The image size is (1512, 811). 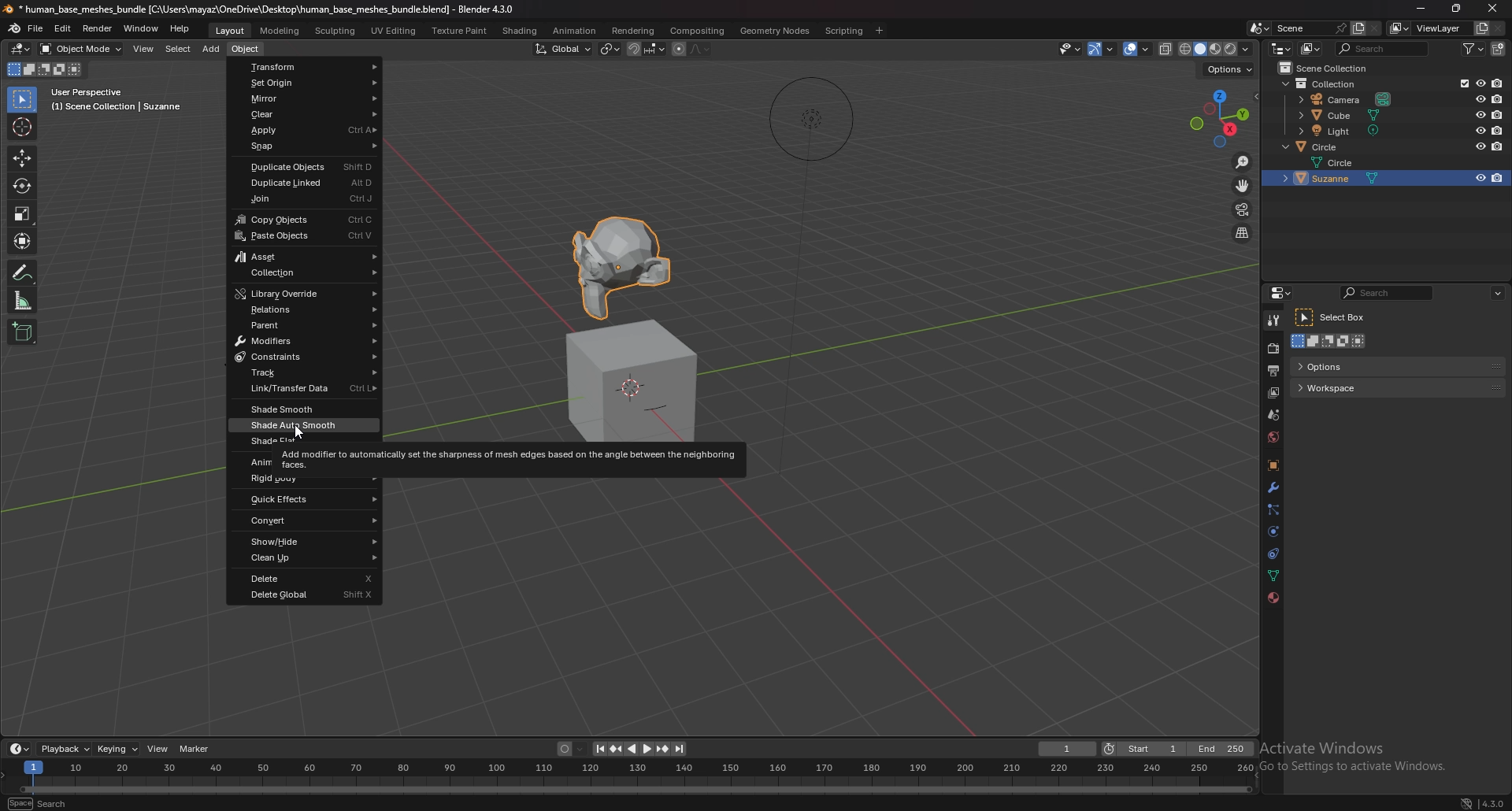 What do you see at coordinates (639, 749) in the screenshot?
I see `play animation` at bounding box center [639, 749].